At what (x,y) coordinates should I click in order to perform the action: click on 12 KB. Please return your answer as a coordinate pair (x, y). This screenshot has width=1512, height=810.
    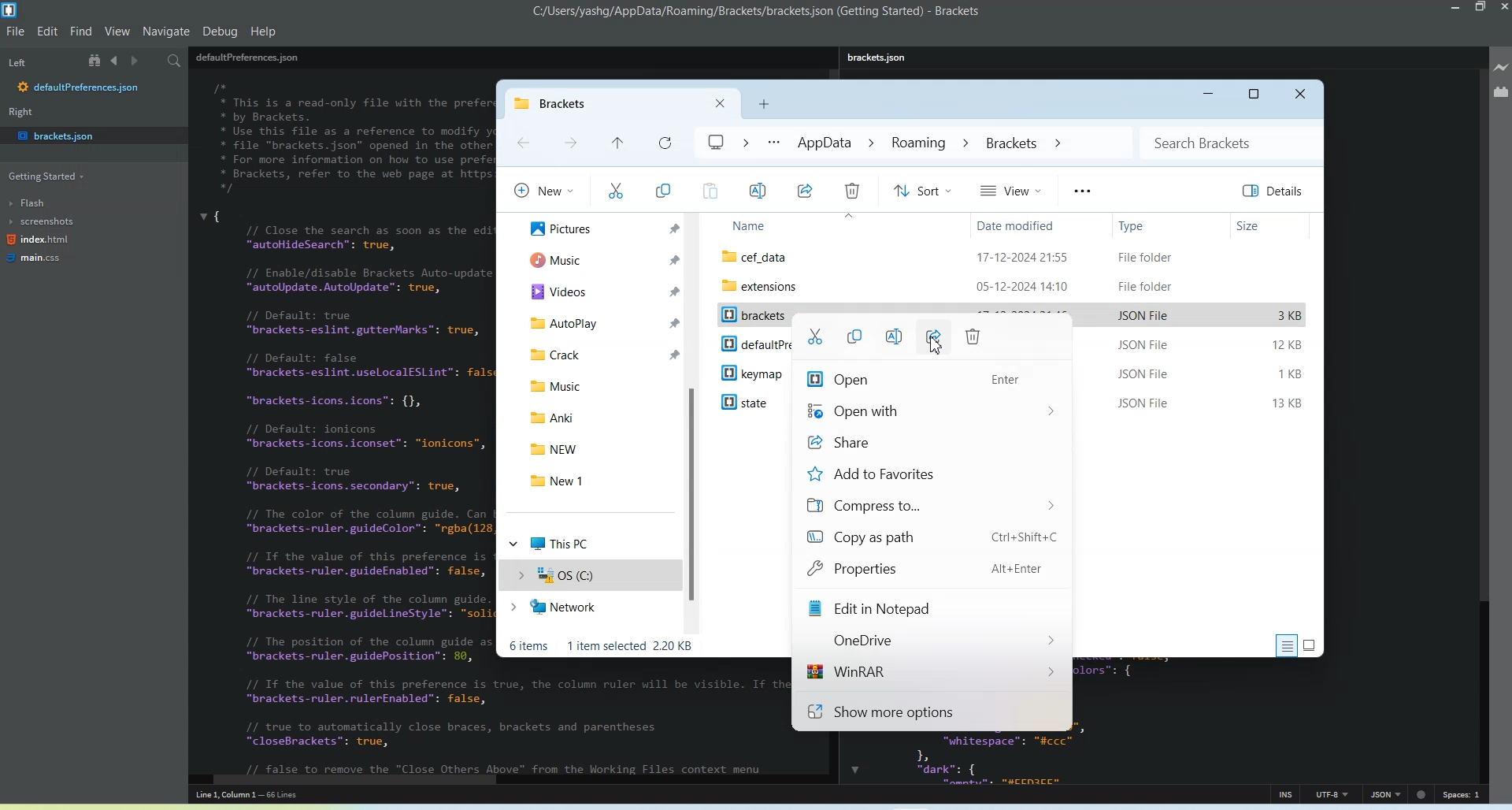
    Looking at the image, I should click on (1287, 344).